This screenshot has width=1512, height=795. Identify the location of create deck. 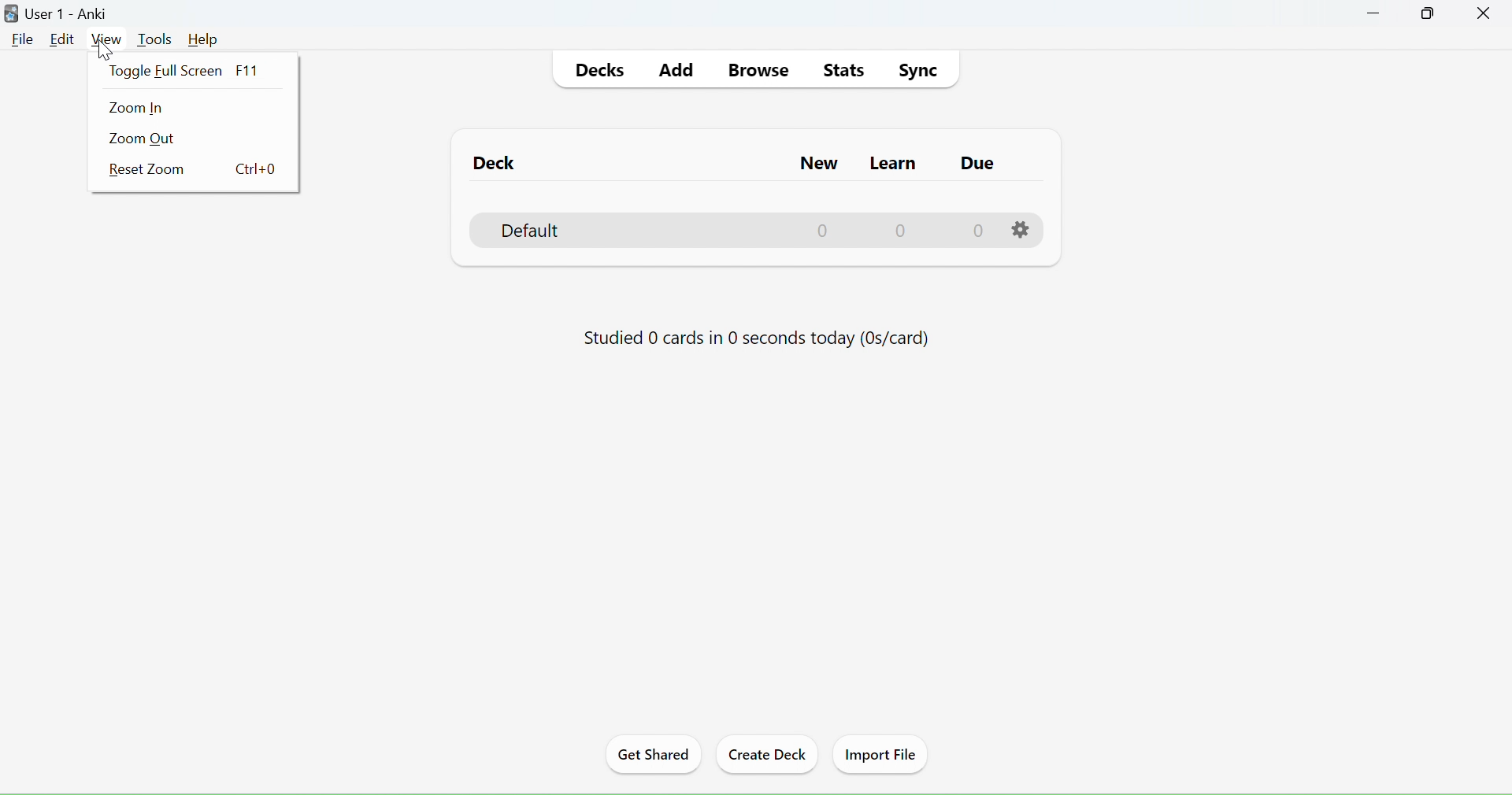
(768, 752).